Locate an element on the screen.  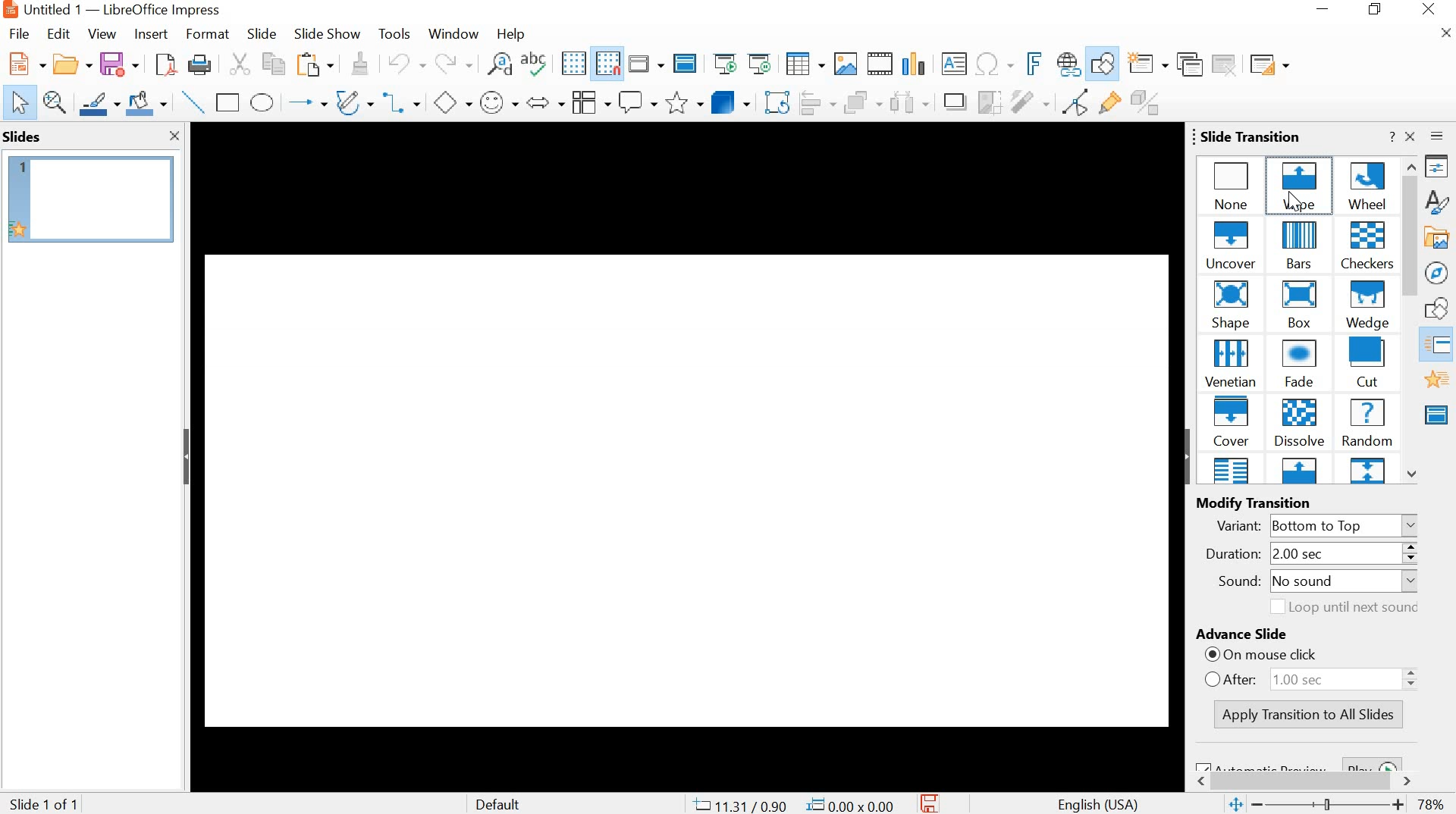
scrollbar is located at coordinates (1412, 320).